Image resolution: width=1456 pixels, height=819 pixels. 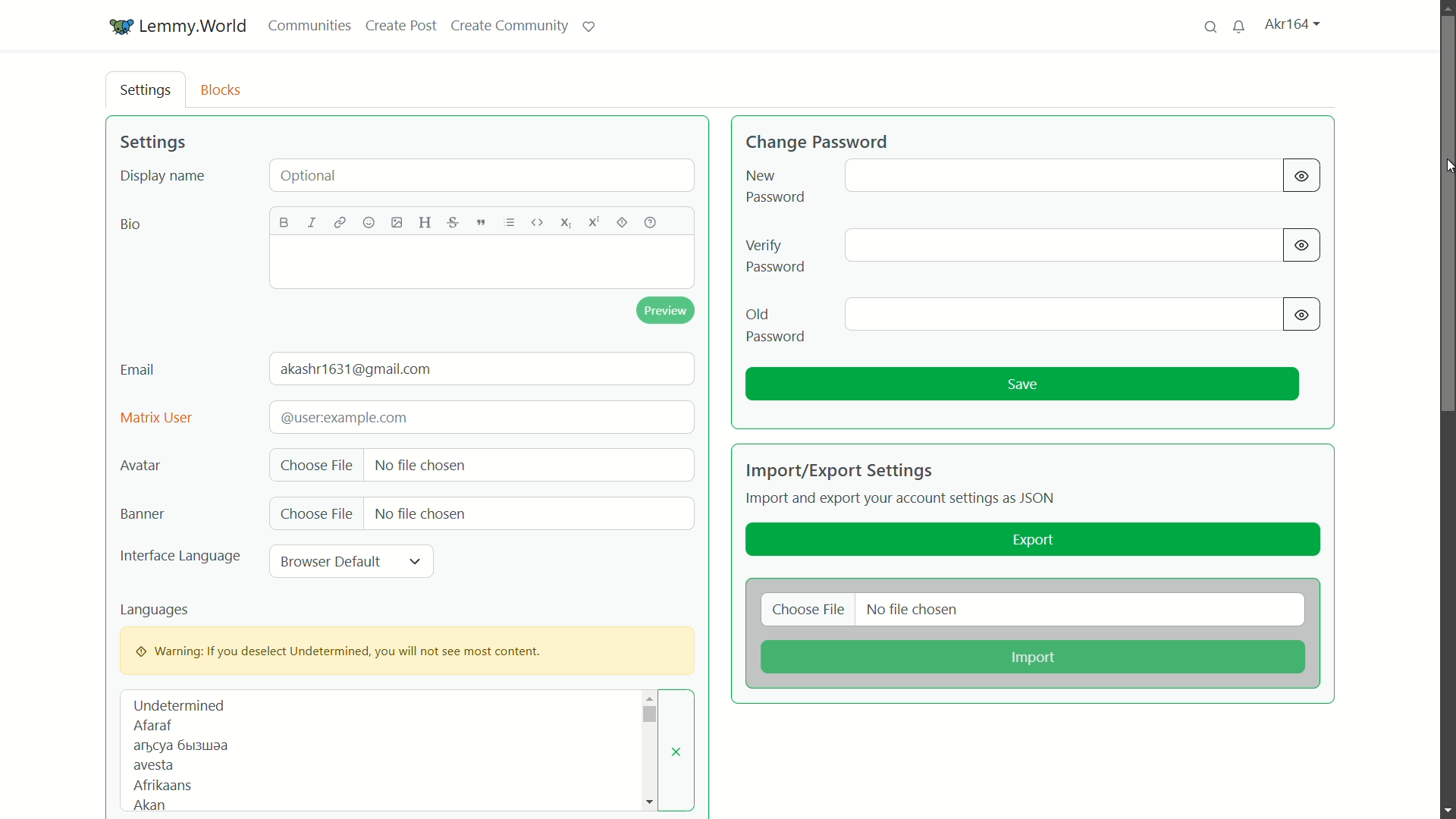 What do you see at coordinates (153, 141) in the screenshot?
I see `settings` at bounding box center [153, 141].